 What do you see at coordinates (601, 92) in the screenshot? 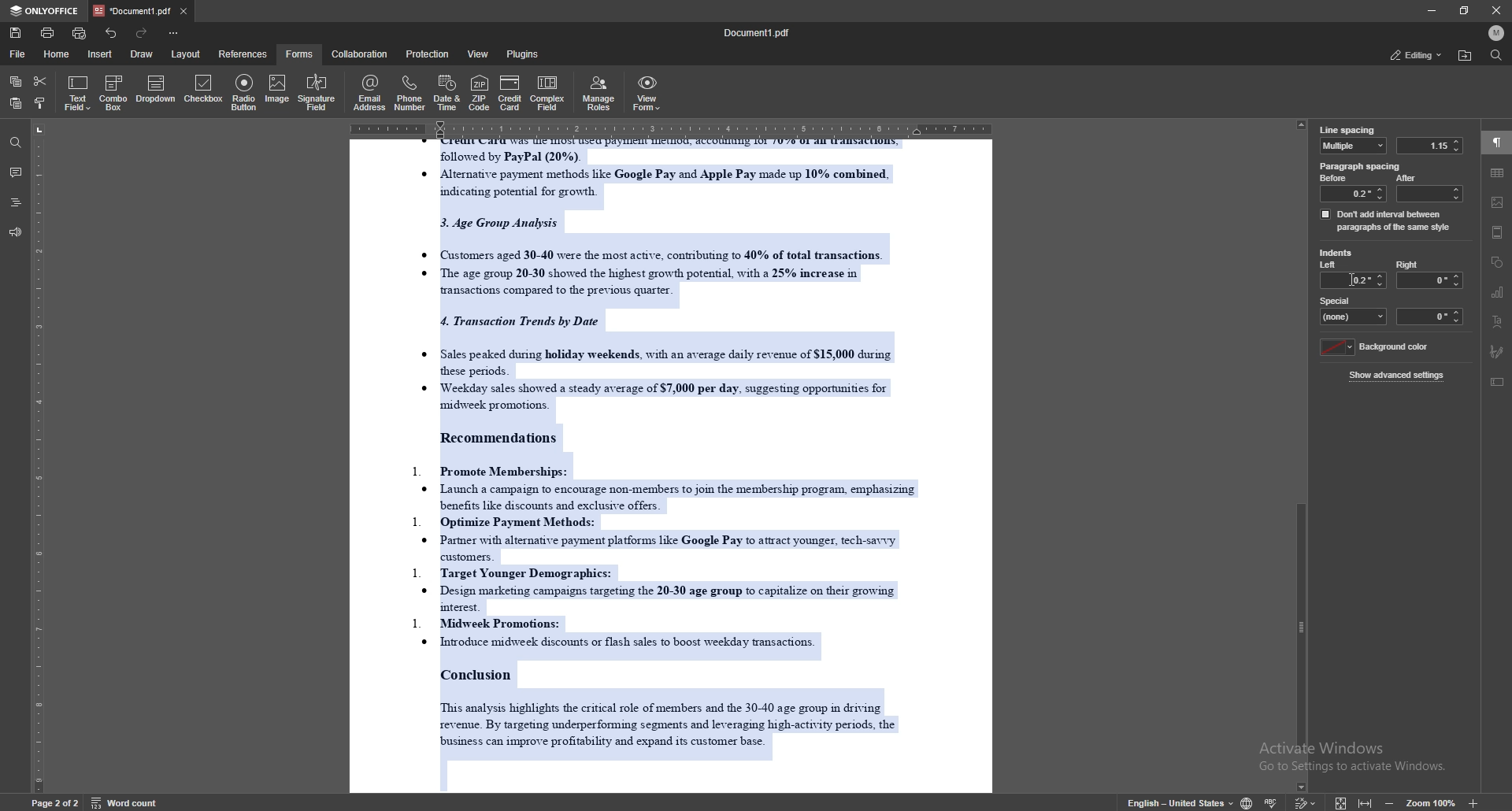
I see `manage roles` at bounding box center [601, 92].